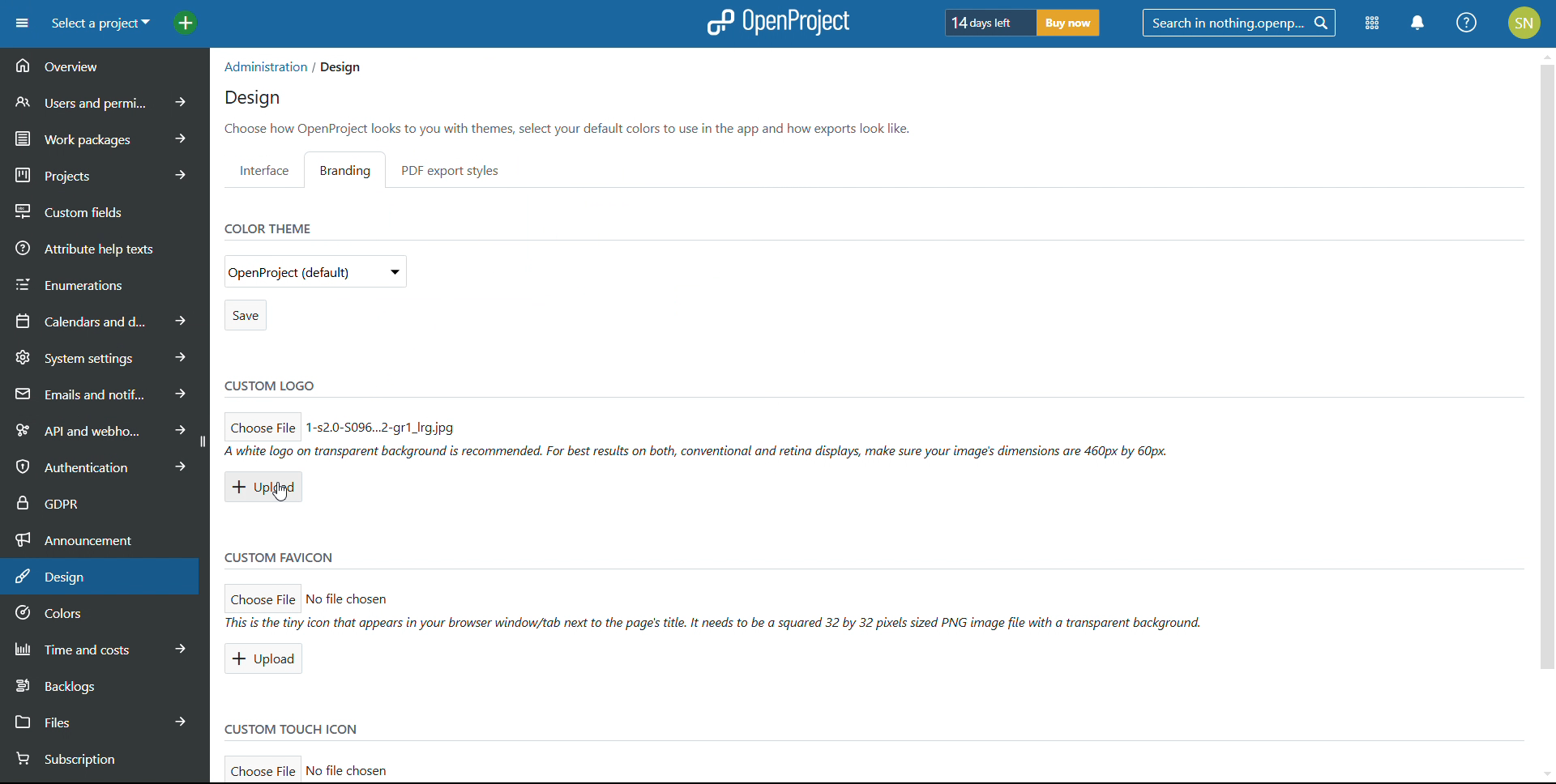 The image size is (1556, 784). I want to click on authentication, so click(96, 467).